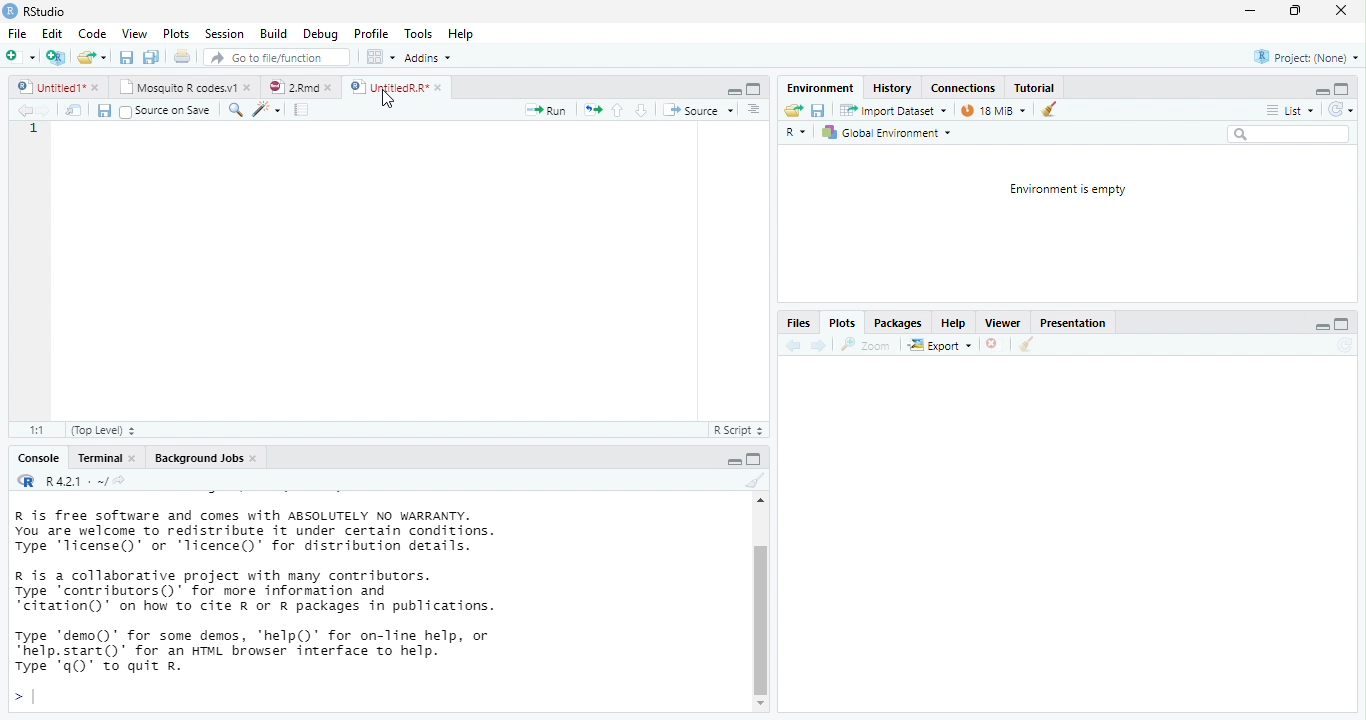 The image size is (1366, 720). What do you see at coordinates (1323, 329) in the screenshot?
I see `minimize` at bounding box center [1323, 329].